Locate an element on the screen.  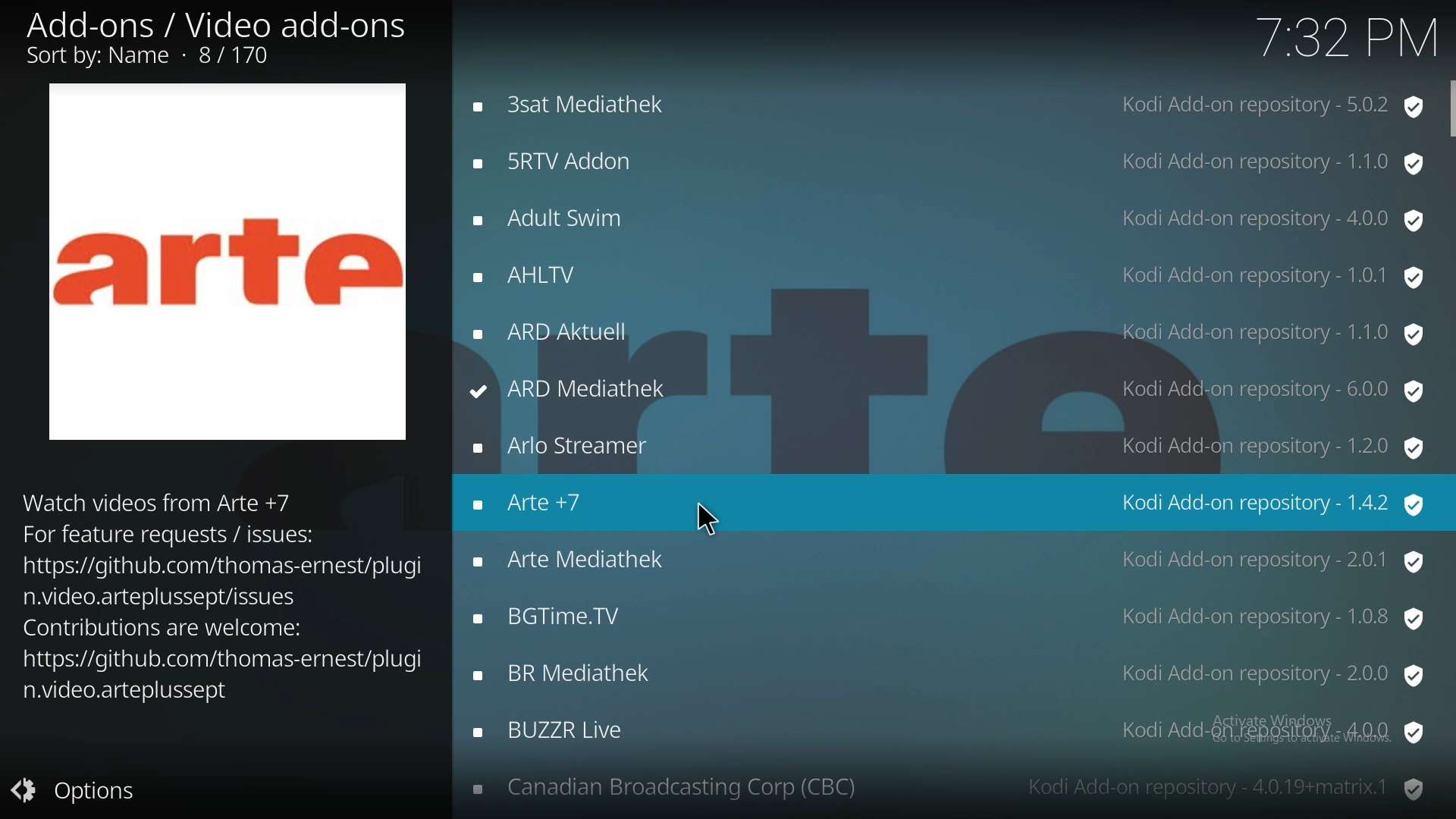
add on is located at coordinates (949, 788).